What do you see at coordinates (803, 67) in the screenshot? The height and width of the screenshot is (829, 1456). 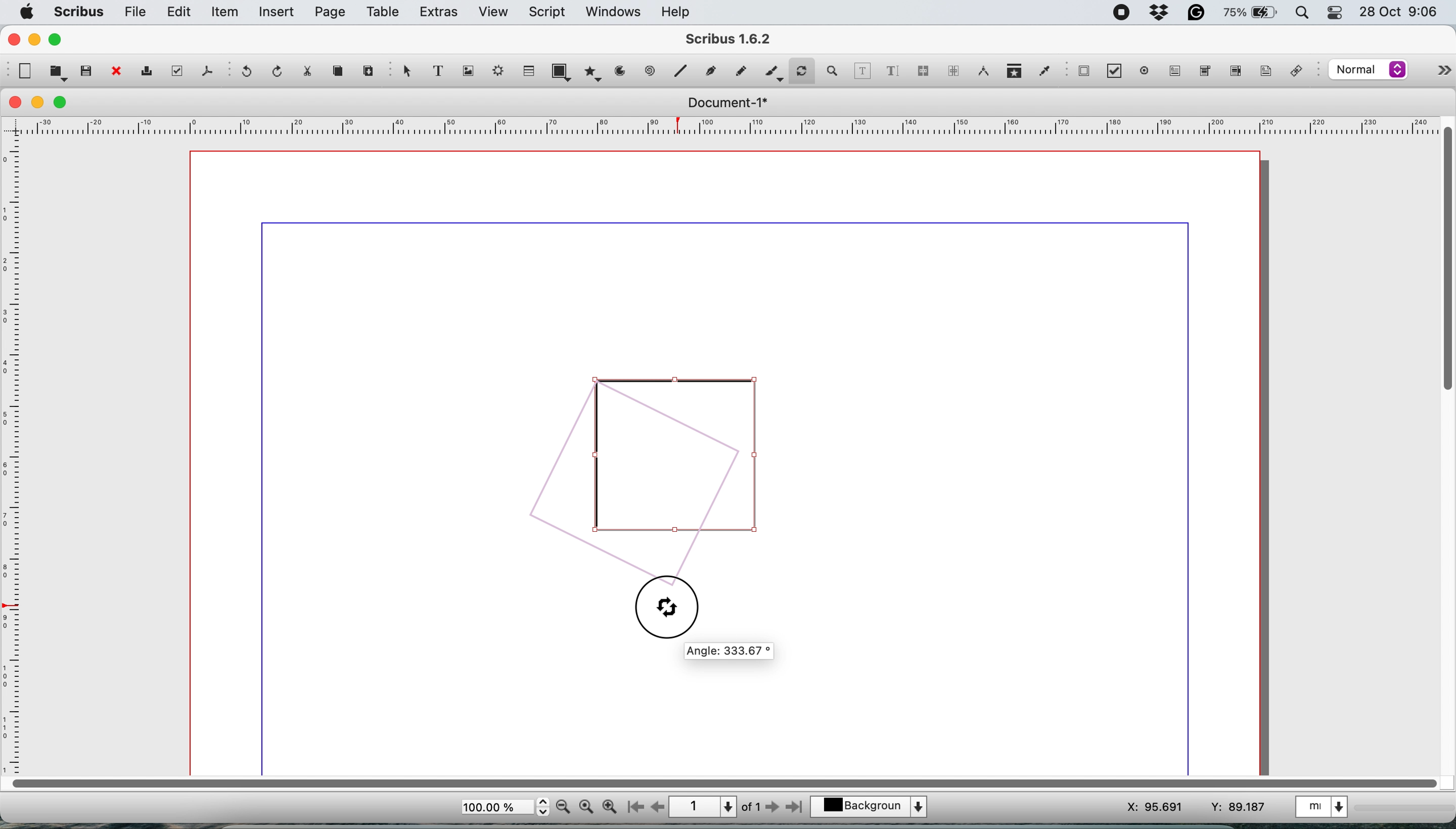 I see `rotate` at bounding box center [803, 67].